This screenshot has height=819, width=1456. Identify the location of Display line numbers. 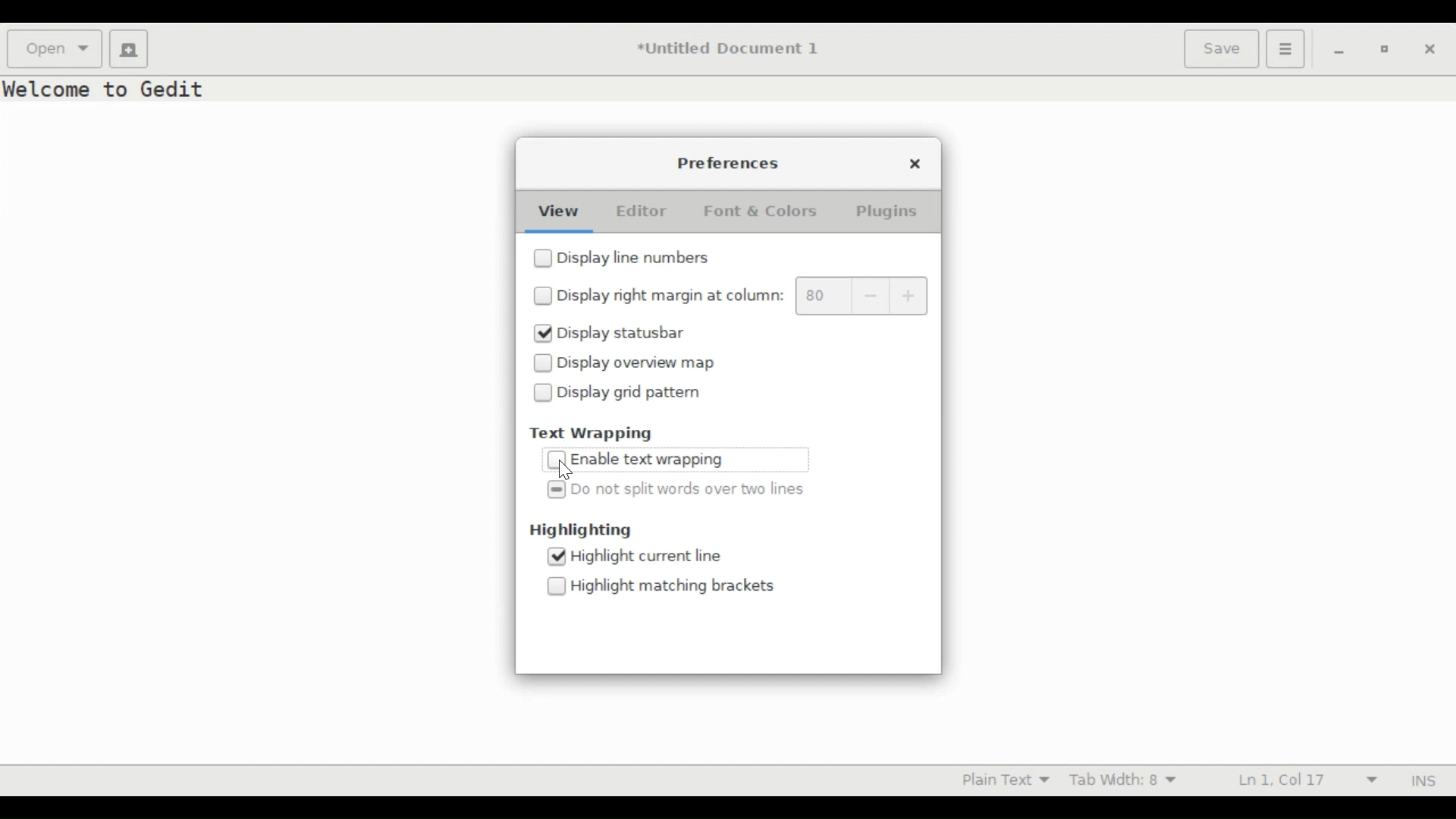
(637, 258).